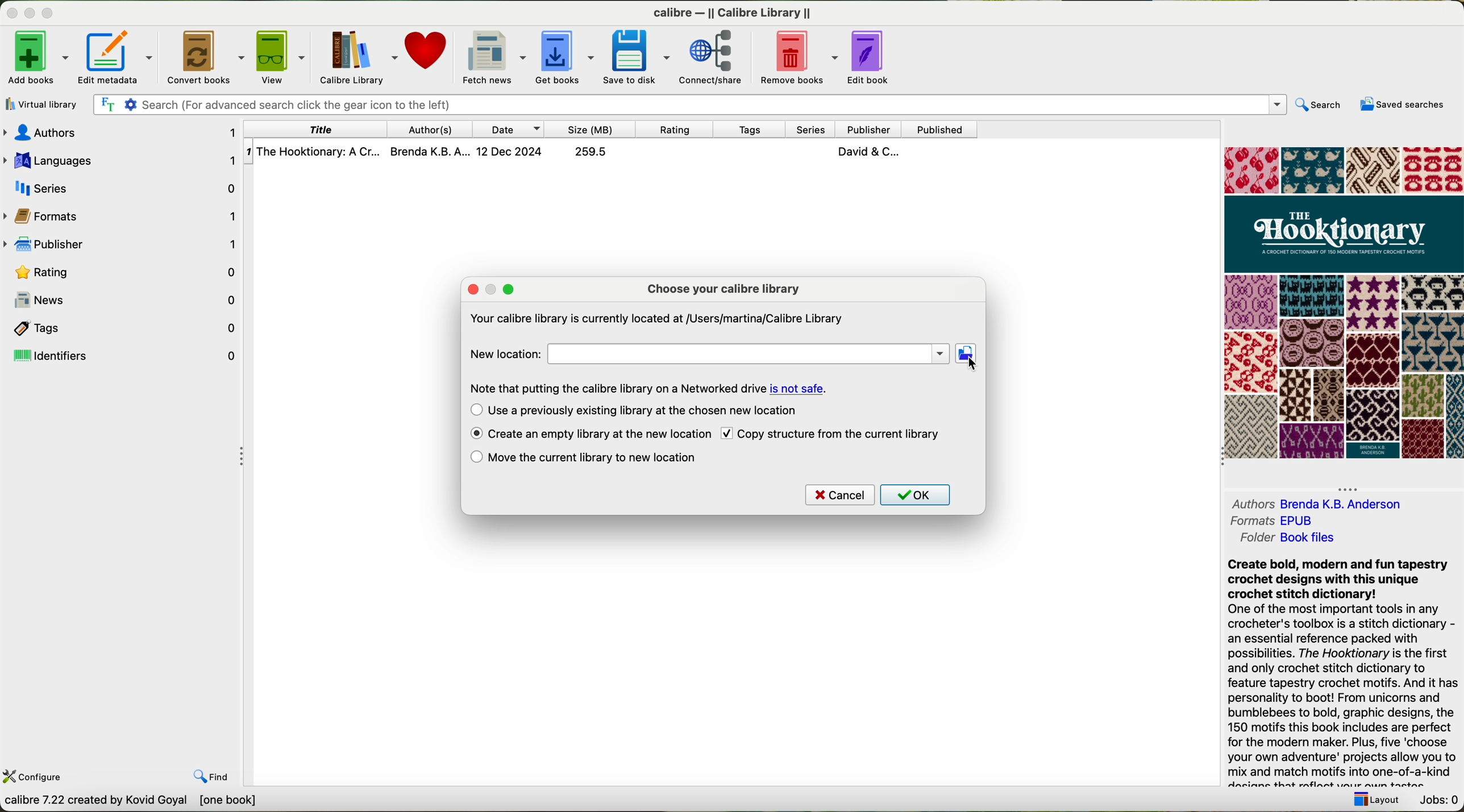 The height and width of the screenshot is (812, 1464). What do you see at coordinates (1270, 521) in the screenshot?
I see `formats EPUB` at bounding box center [1270, 521].